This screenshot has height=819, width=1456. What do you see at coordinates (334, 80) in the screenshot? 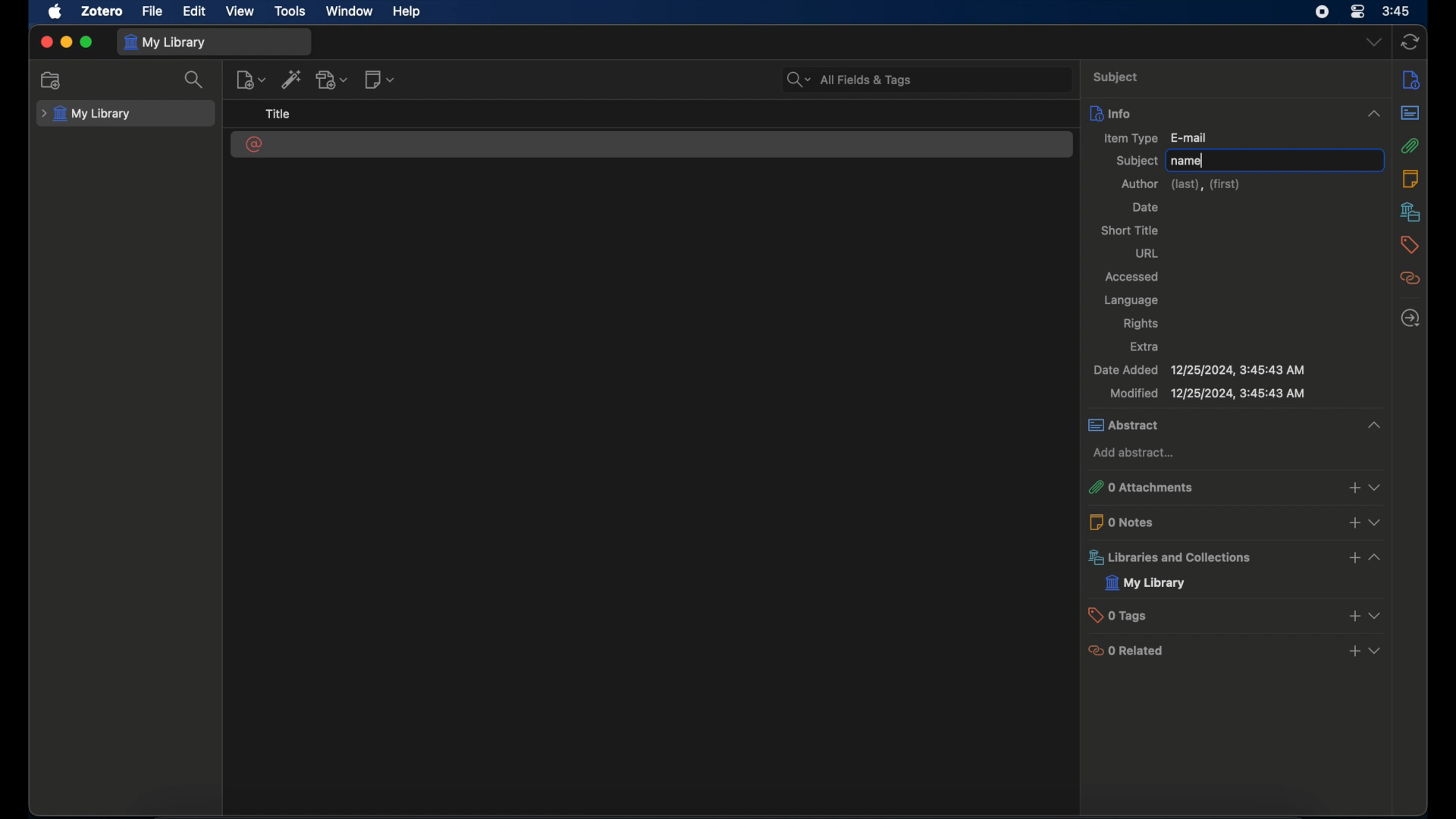
I see `add attachment` at bounding box center [334, 80].